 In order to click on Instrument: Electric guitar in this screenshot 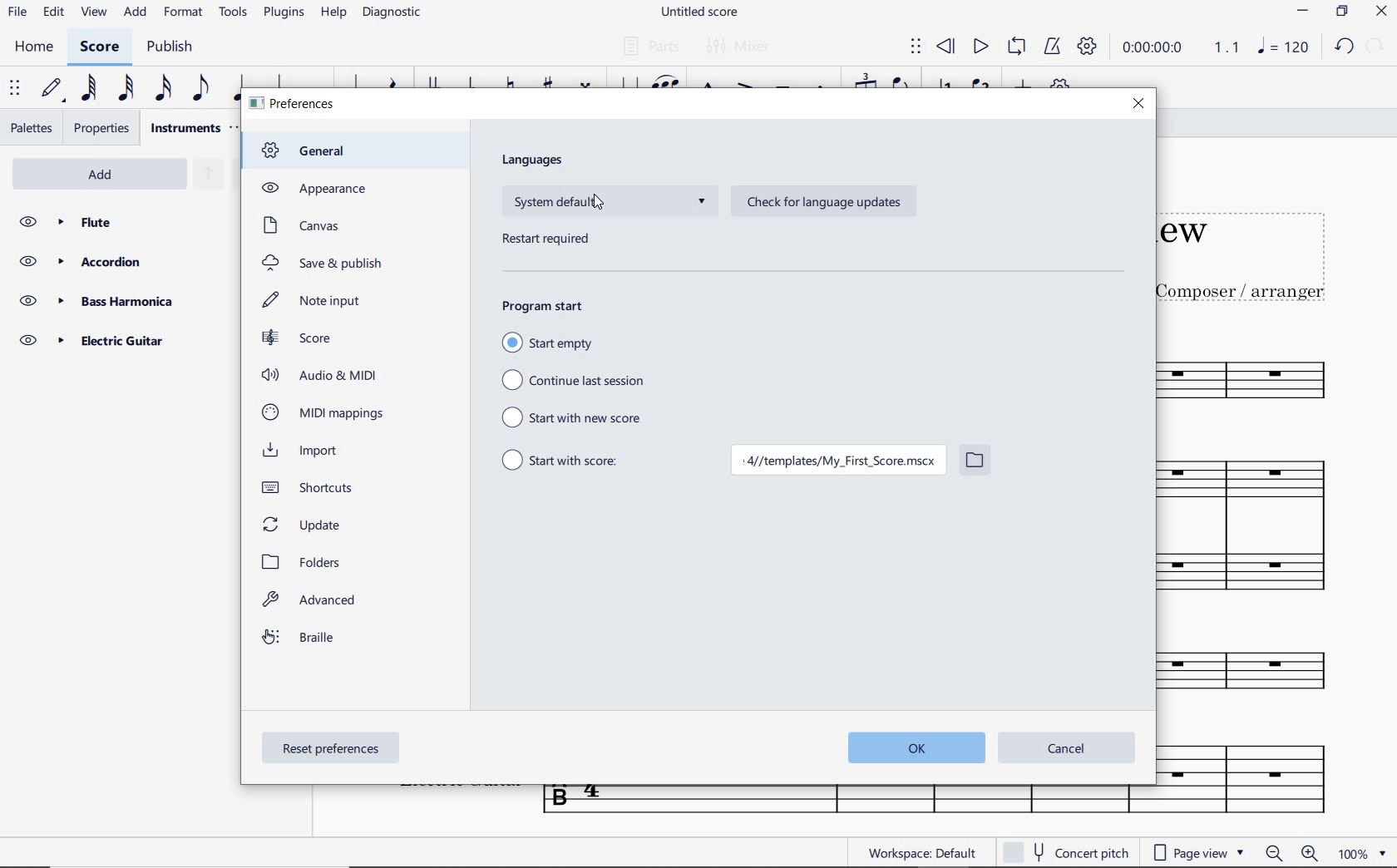, I will do `click(1254, 777)`.